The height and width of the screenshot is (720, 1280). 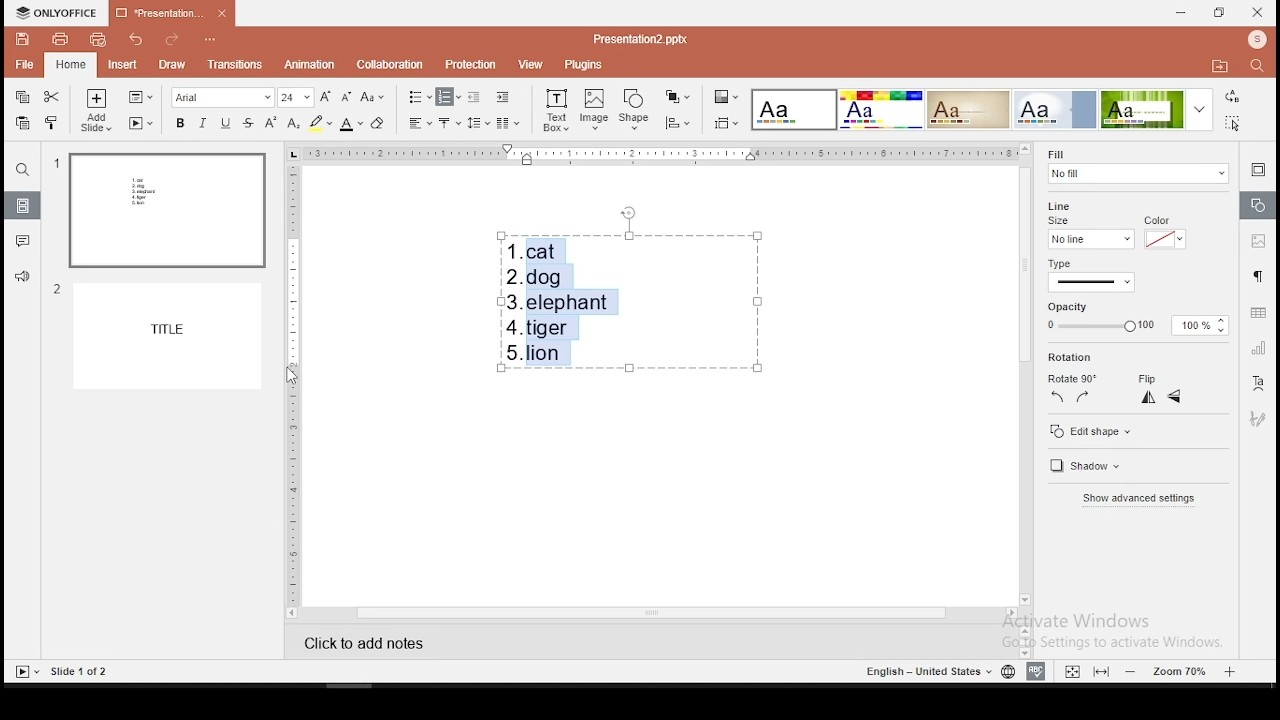 I want to click on shape settings, so click(x=1257, y=207).